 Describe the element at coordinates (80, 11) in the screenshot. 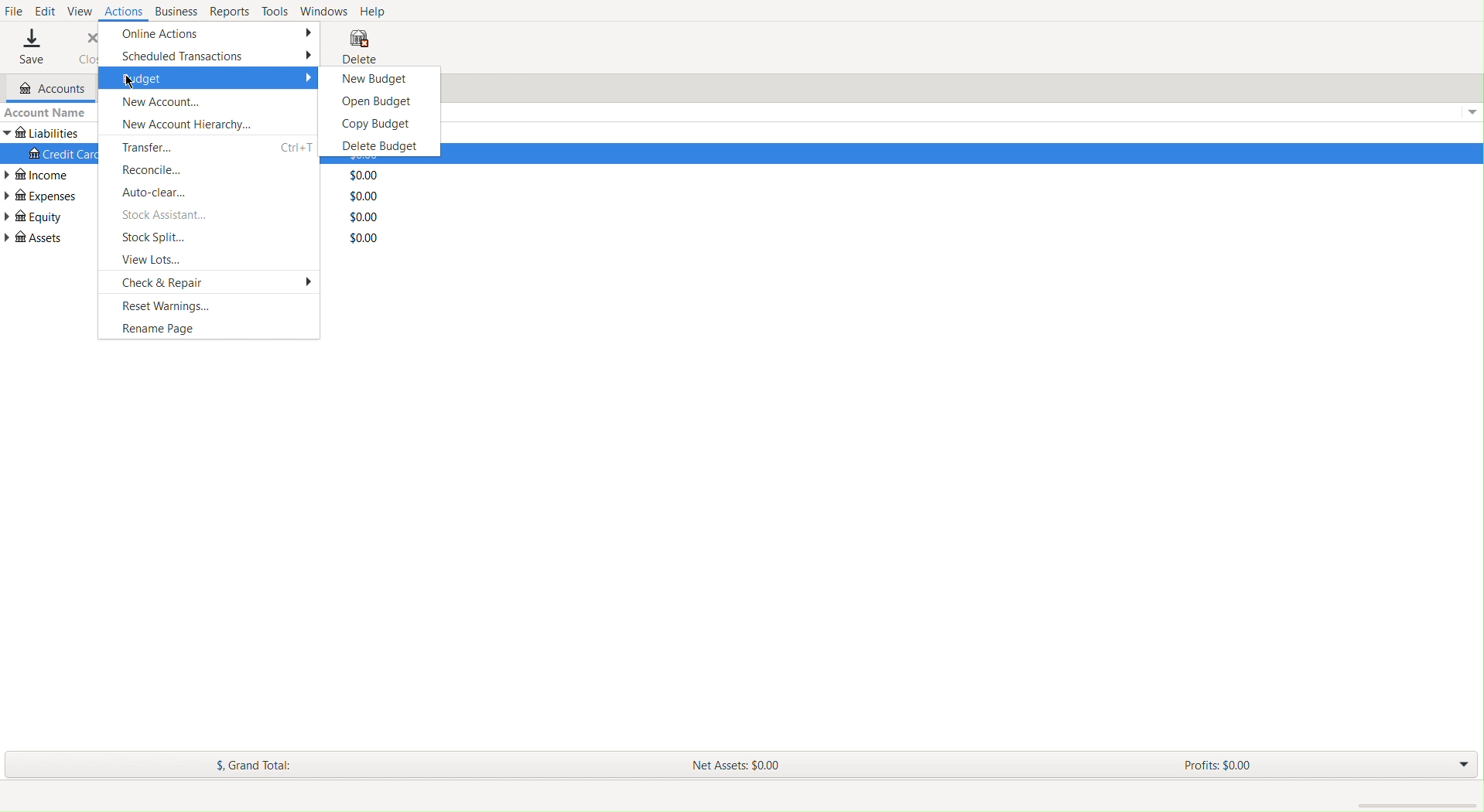

I see `View` at that location.